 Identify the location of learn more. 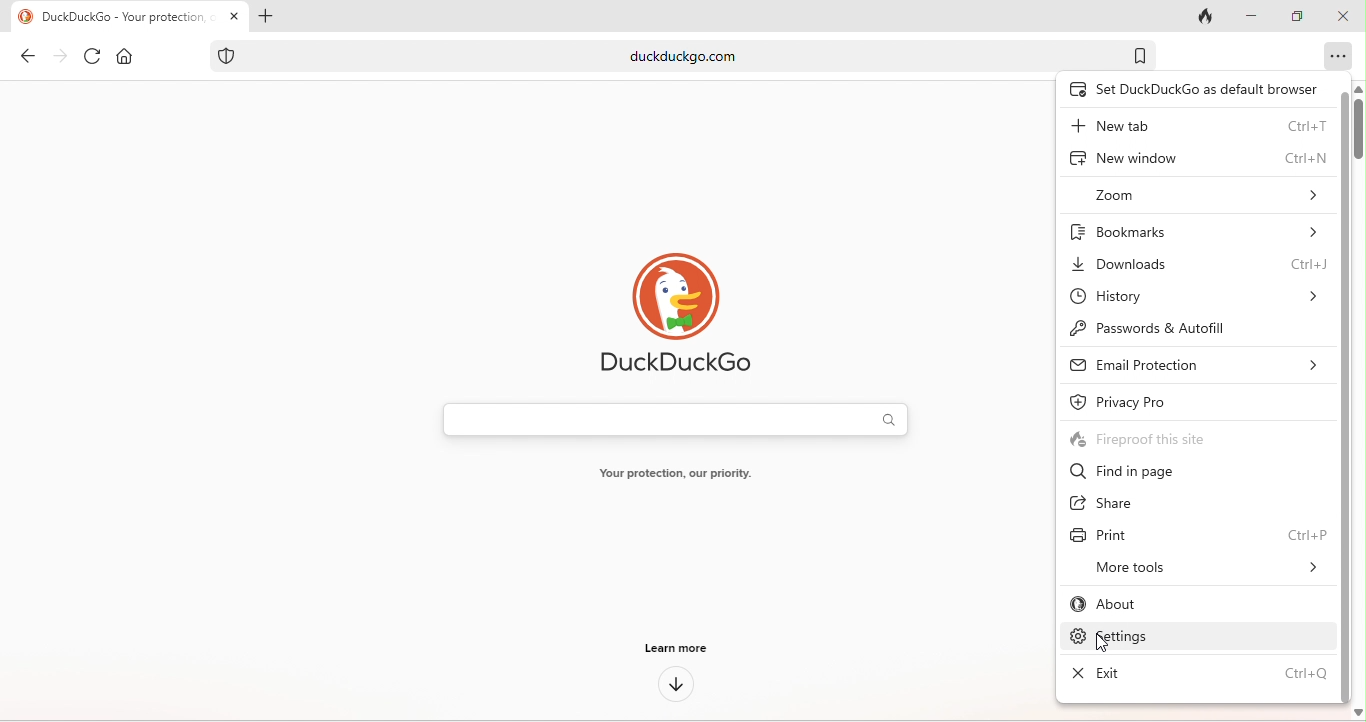
(685, 647).